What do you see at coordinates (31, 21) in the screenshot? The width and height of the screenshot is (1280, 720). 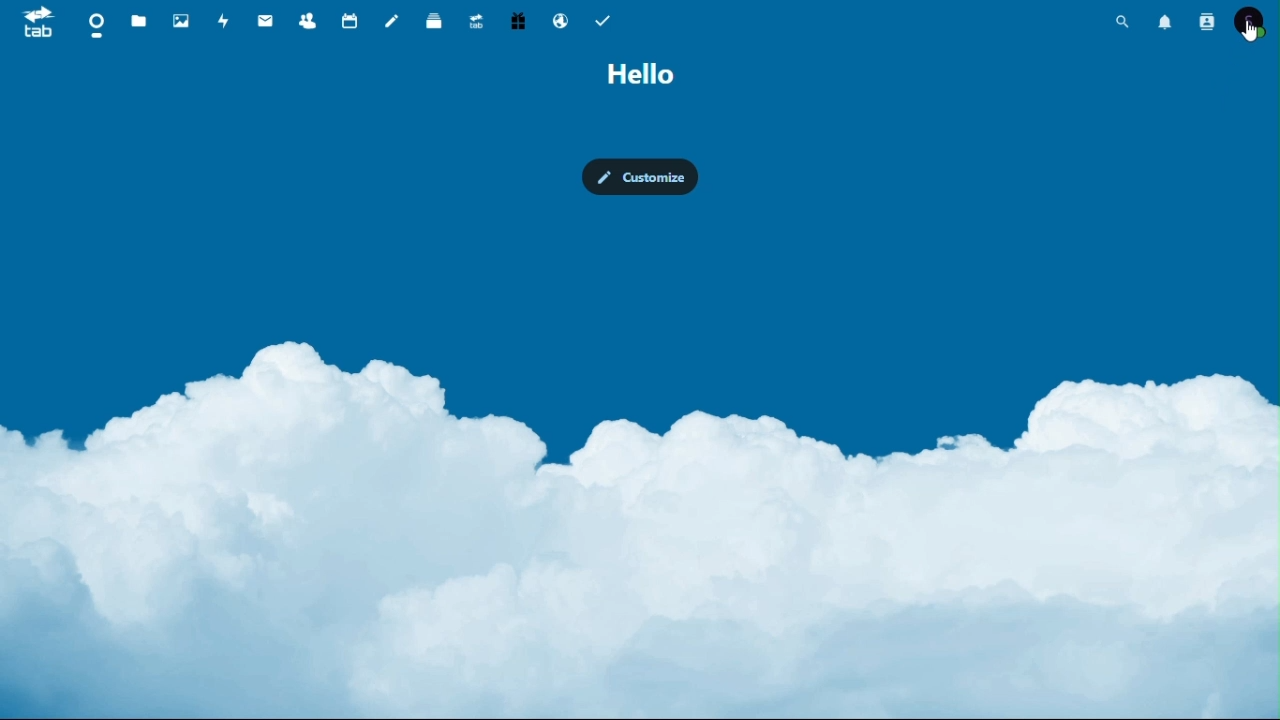 I see `tab` at bounding box center [31, 21].